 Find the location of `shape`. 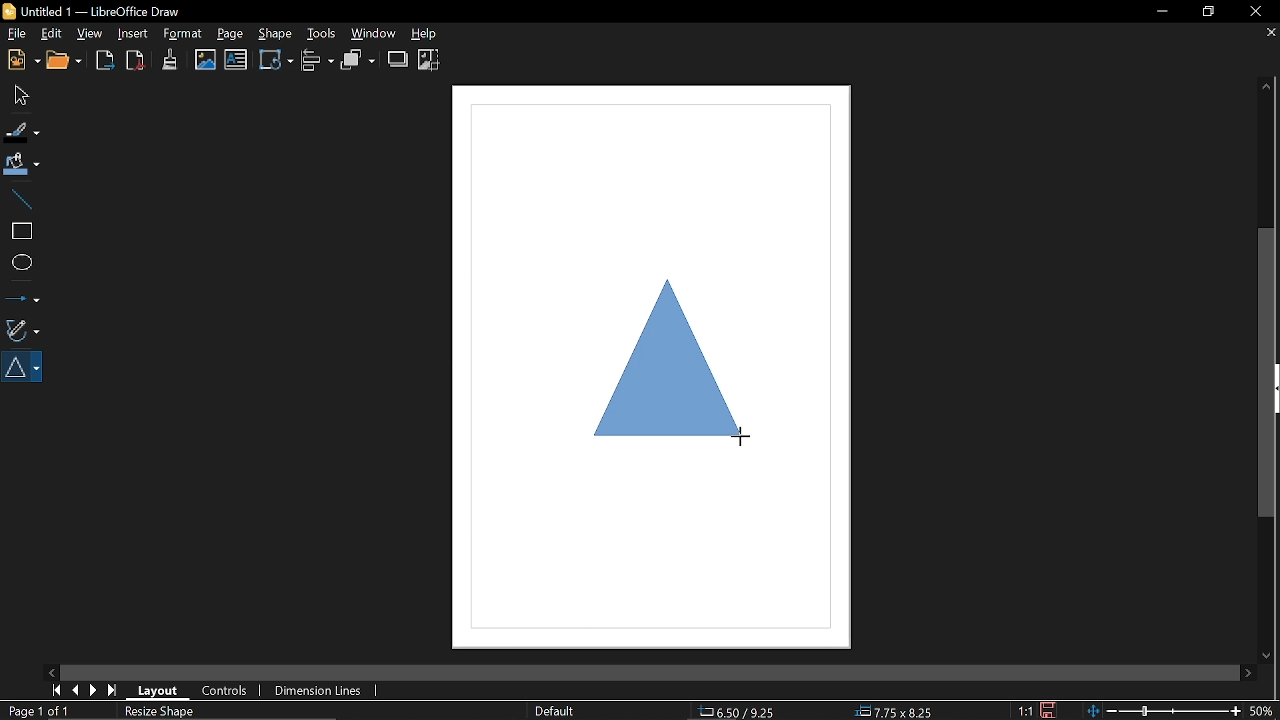

shape is located at coordinates (274, 33).